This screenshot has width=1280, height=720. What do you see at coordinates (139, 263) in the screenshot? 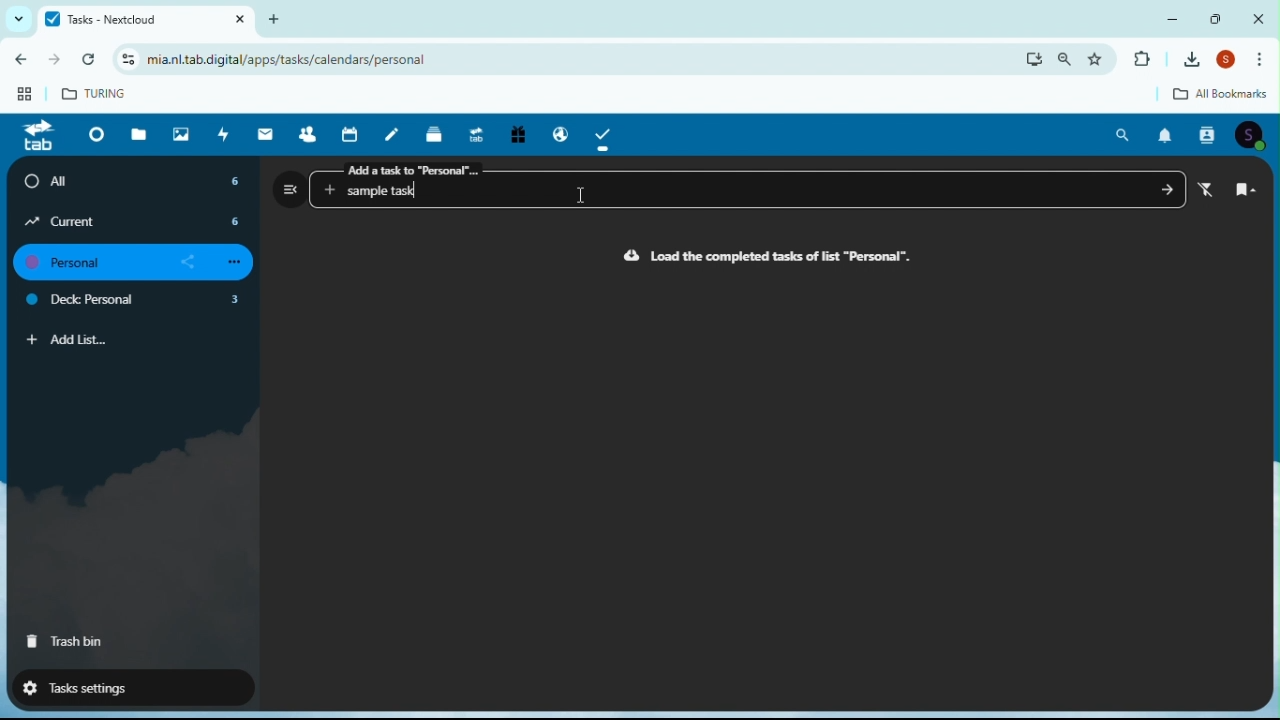
I see `Personal` at bounding box center [139, 263].